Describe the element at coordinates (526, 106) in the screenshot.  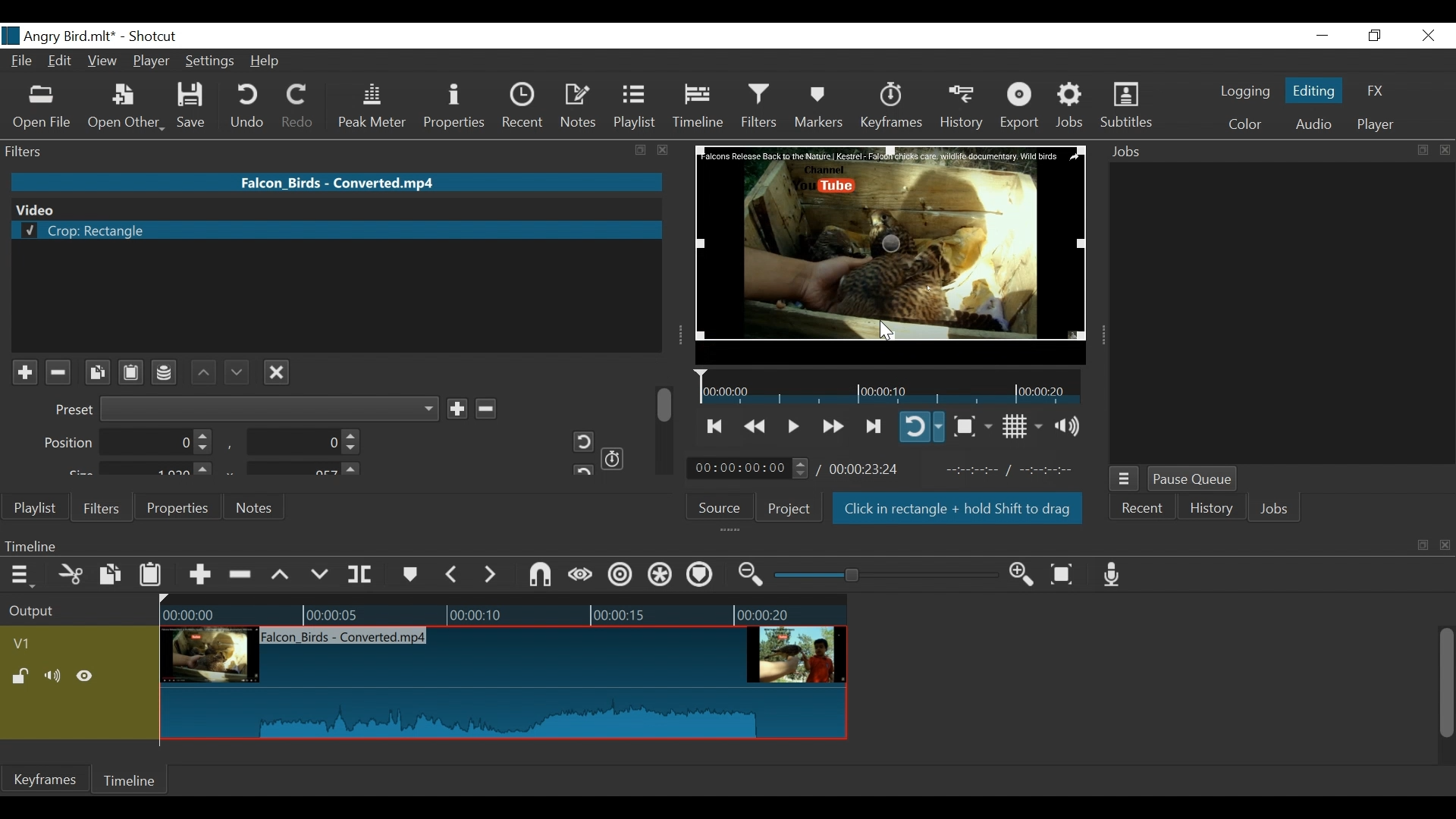
I see `Recent` at that location.